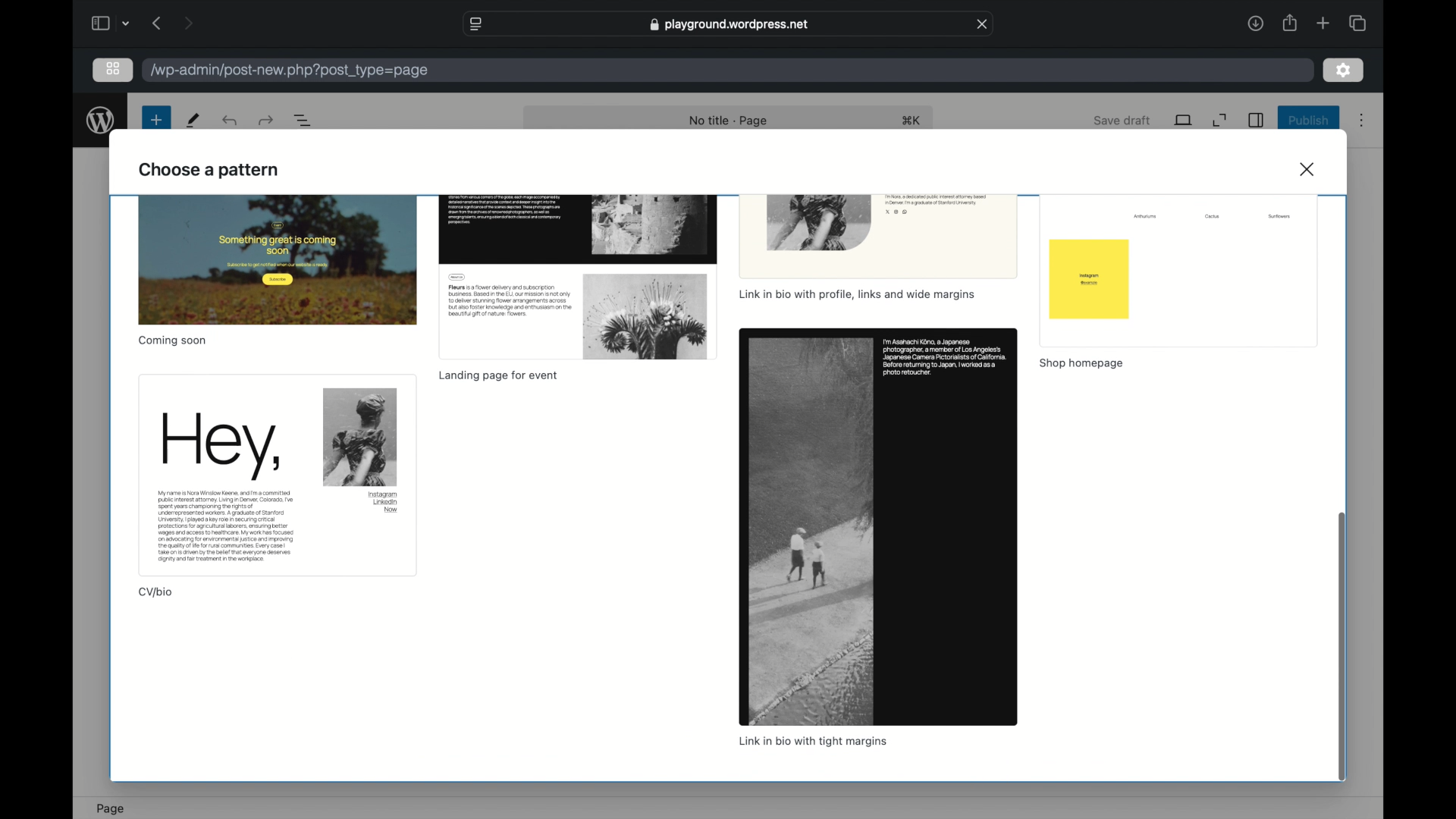  I want to click on coming soon, so click(171, 340).